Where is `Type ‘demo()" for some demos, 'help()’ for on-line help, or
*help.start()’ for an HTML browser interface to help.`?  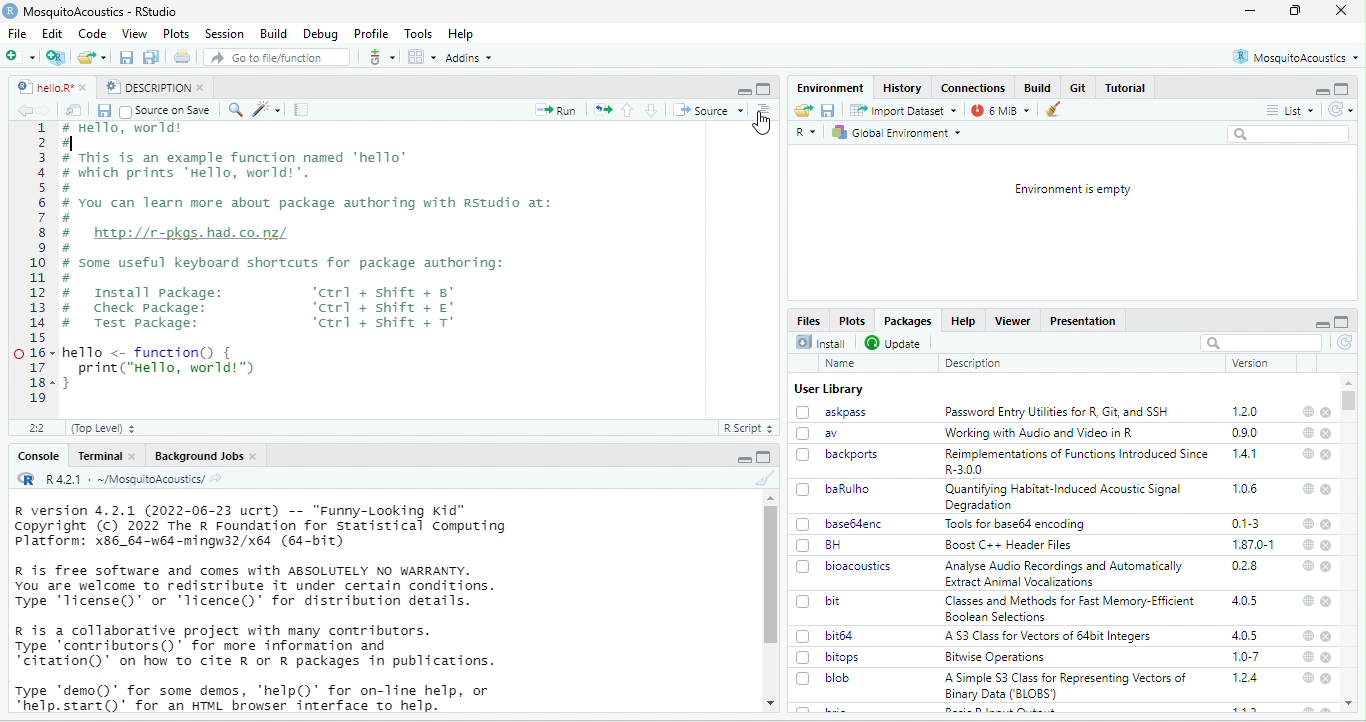
Type ‘demo()" for some demos, 'help()’ for on-line help, or
*help.start()’ for an HTML browser interface to help. is located at coordinates (256, 697).